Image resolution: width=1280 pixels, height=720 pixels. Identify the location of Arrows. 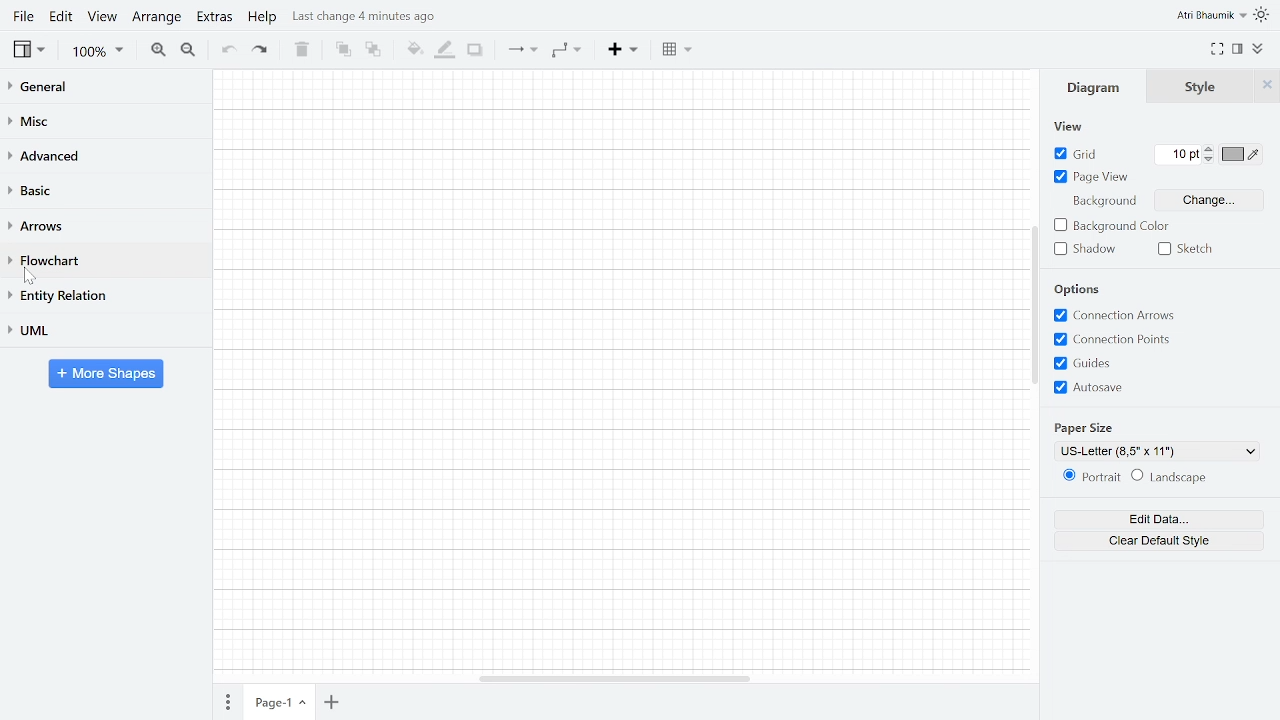
(102, 228).